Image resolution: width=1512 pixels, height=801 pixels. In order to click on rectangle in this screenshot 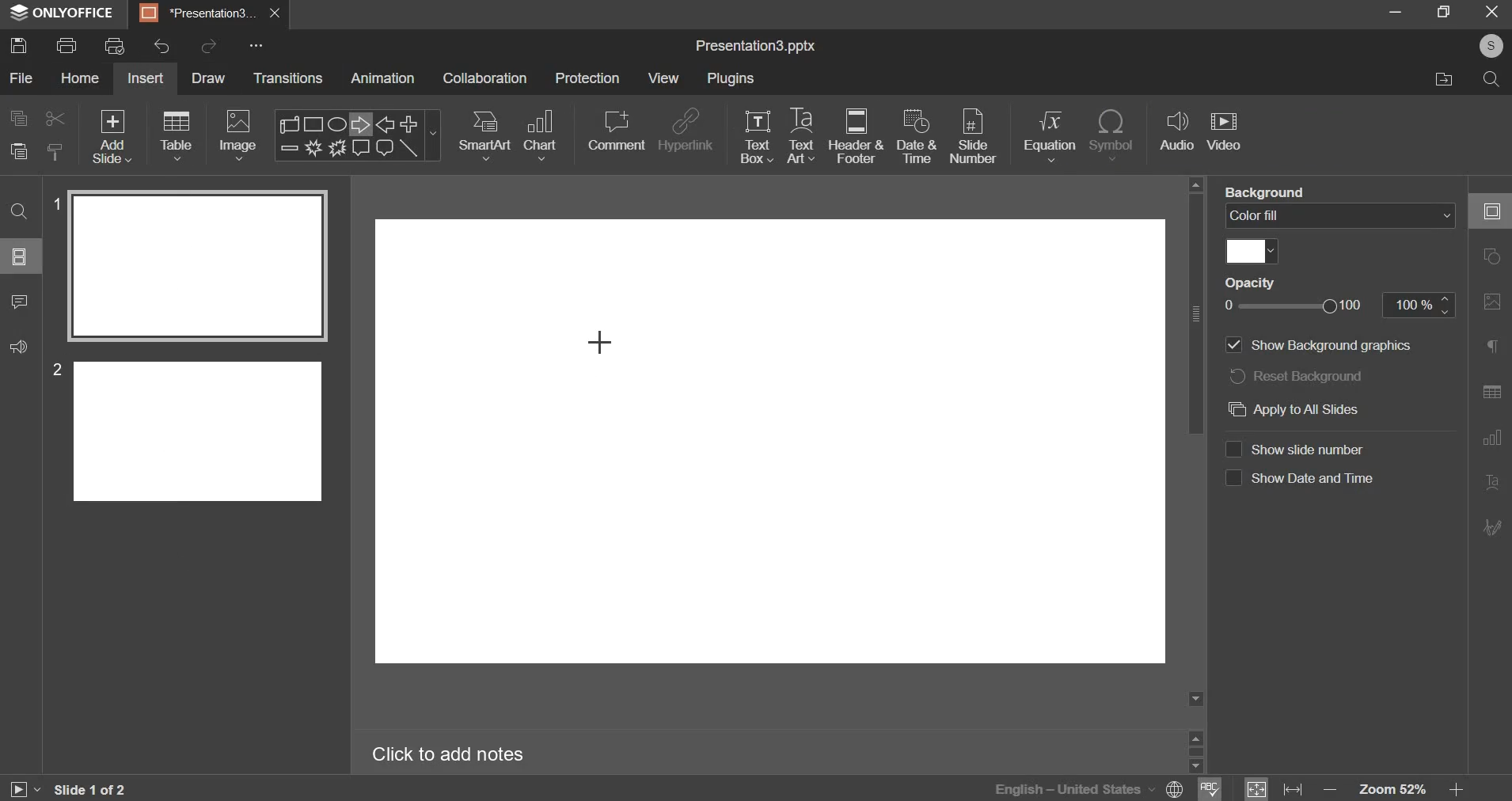, I will do `click(315, 123)`.